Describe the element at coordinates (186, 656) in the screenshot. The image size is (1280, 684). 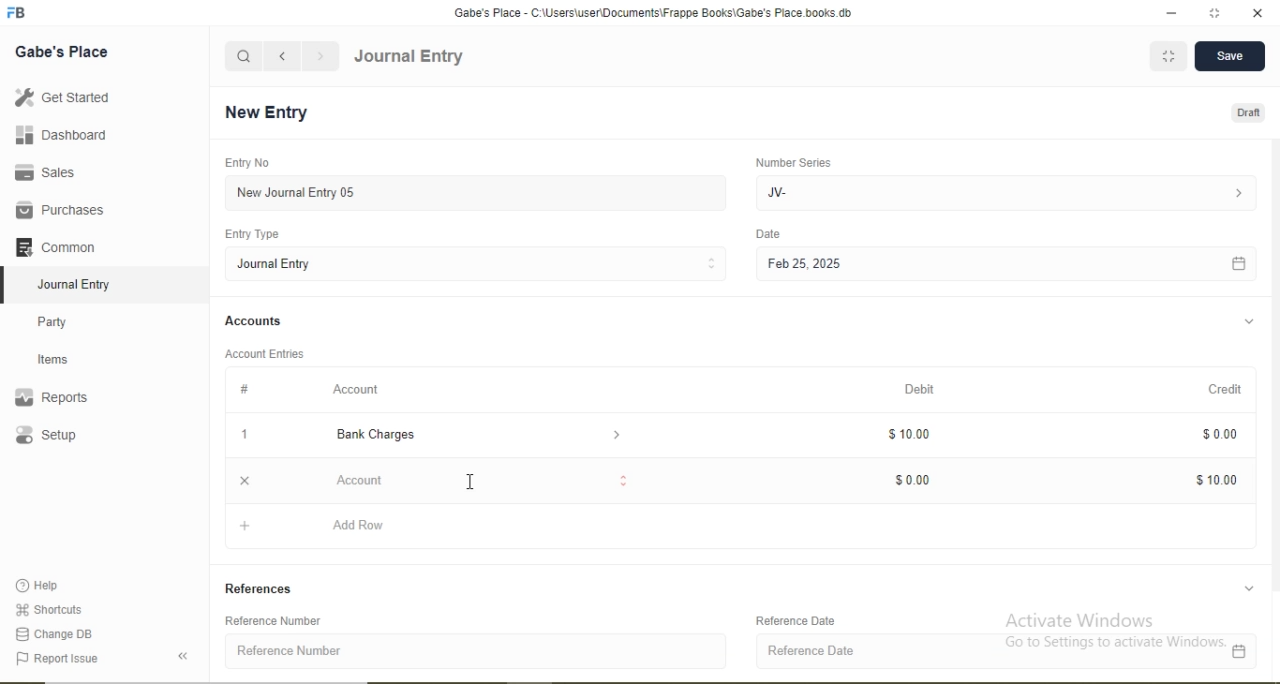
I see `collapse sidebar` at that location.